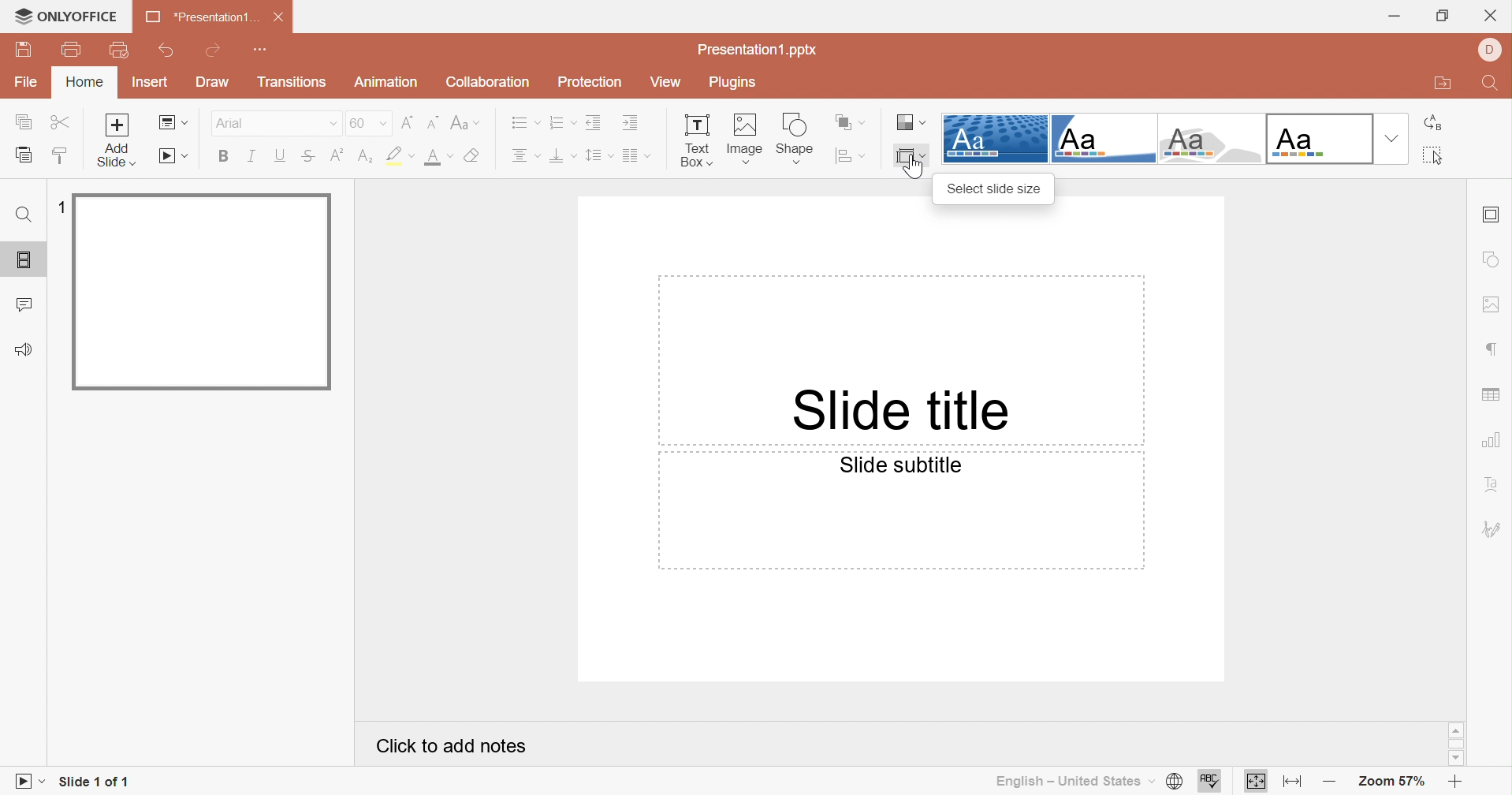 The height and width of the screenshot is (795, 1512). What do you see at coordinates (213, 82) in the screenshot?
I see `Draw` at bounding box center [213, 82].